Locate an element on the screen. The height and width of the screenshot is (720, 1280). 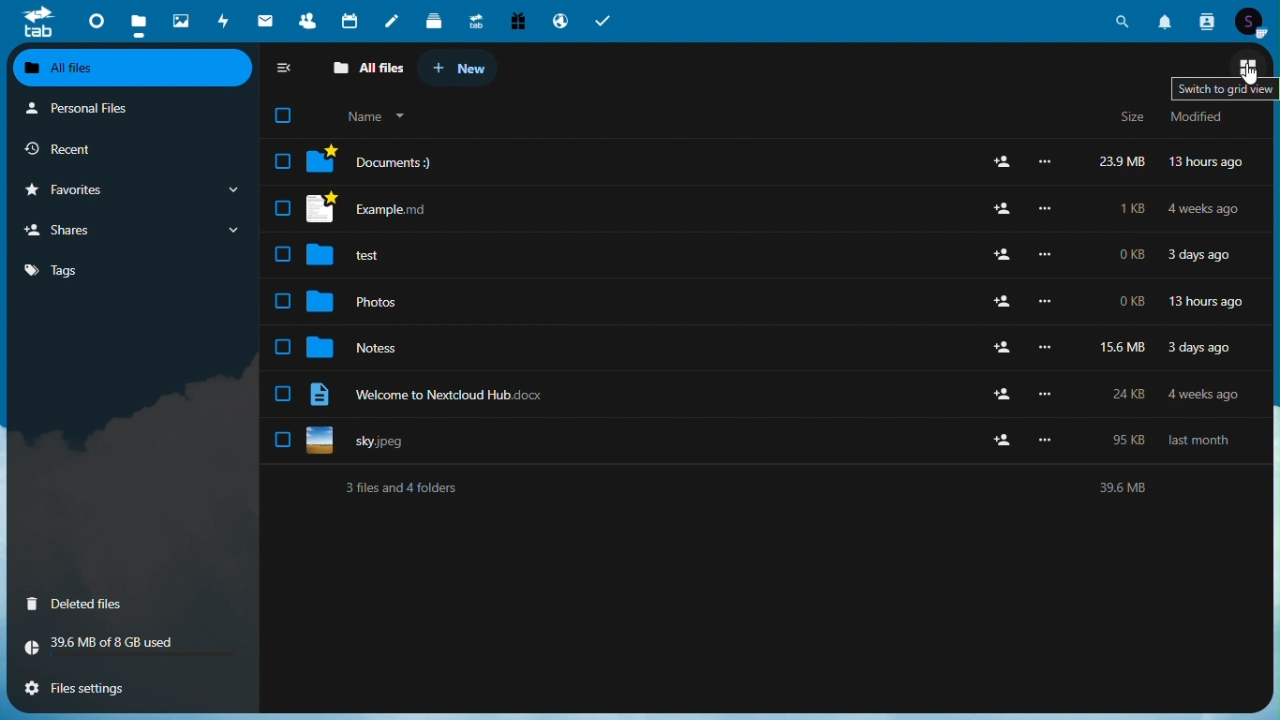
welcome to nextcloud hub.docx is located at coordinates (467, 394).